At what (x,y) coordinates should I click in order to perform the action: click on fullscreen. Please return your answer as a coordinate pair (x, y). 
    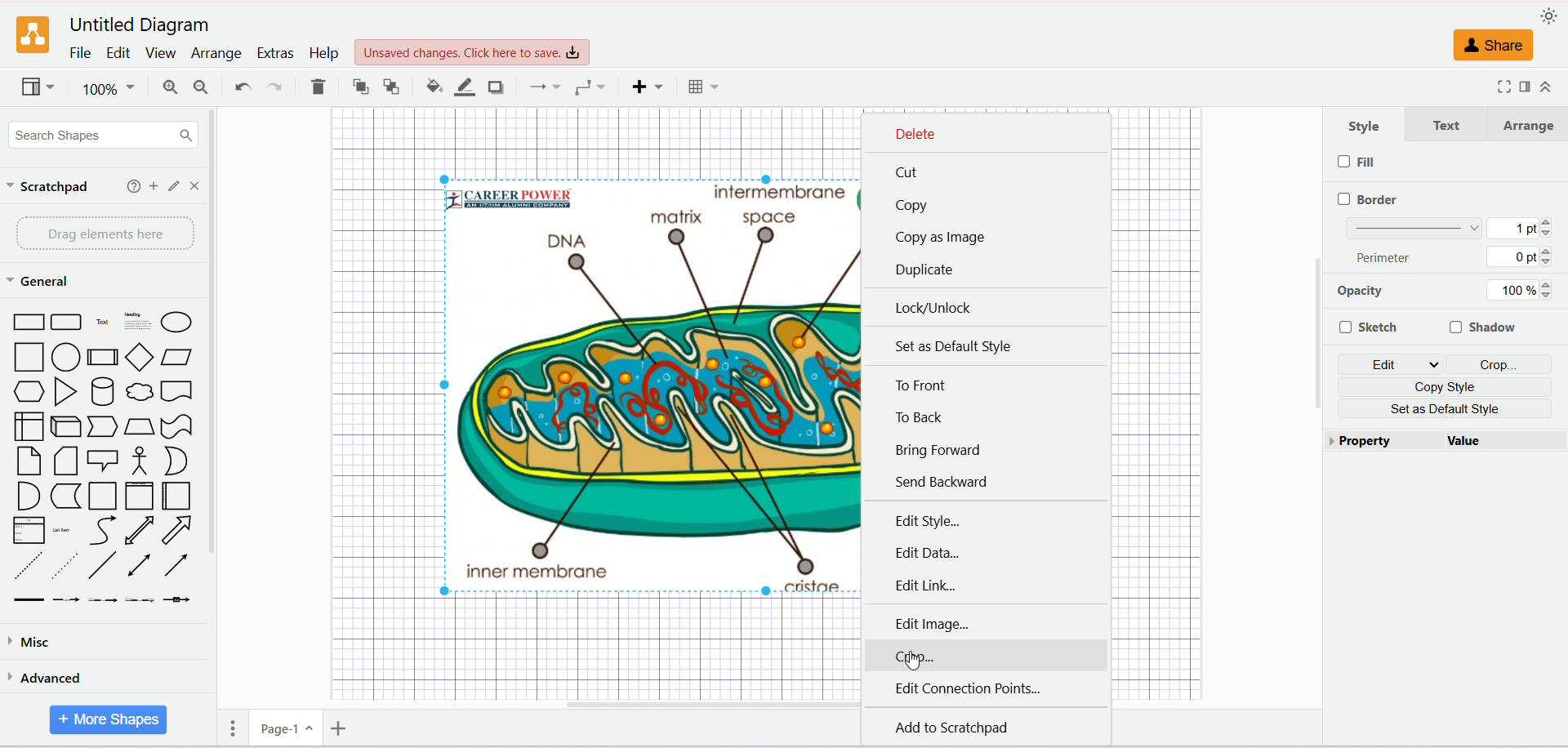
    Looking at the image, I should click on (1503, 86).